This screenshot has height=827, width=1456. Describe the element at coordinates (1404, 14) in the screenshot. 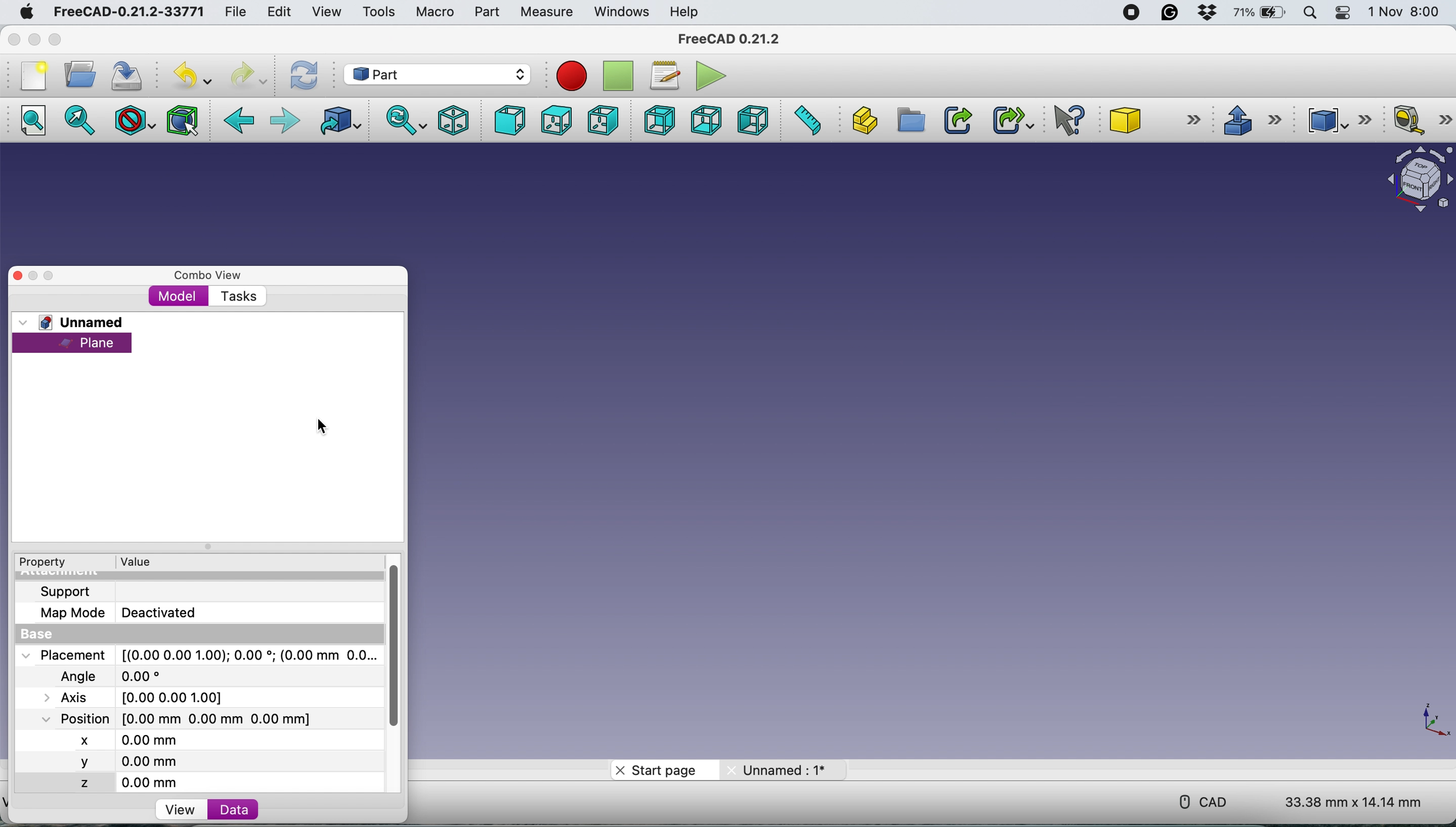

I see `1 Nov 8:00` at that location.